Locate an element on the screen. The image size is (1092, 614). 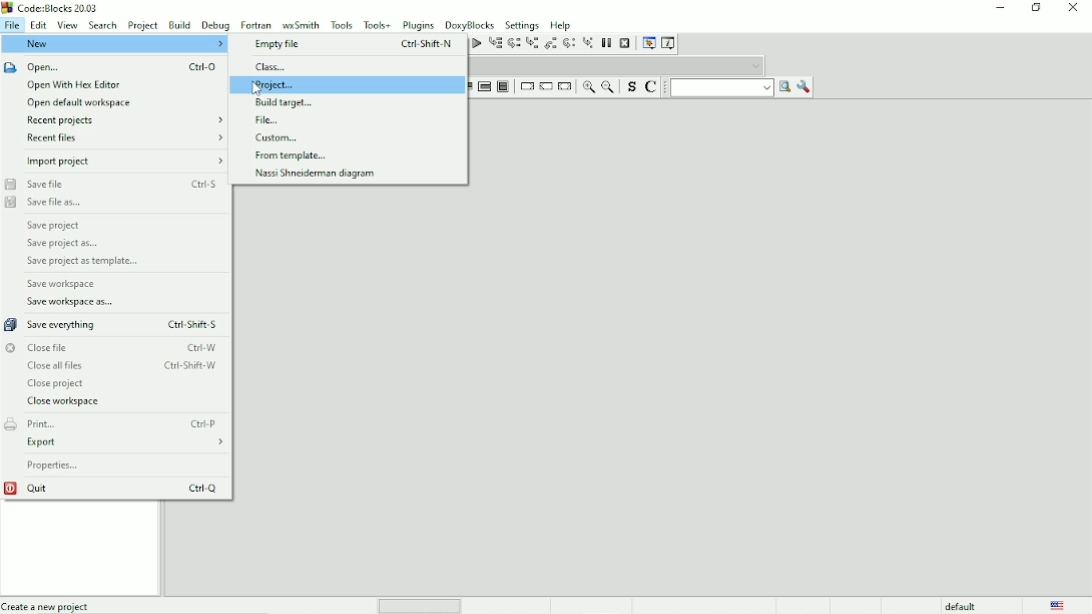
Debug is located at coordinates (215, 25).